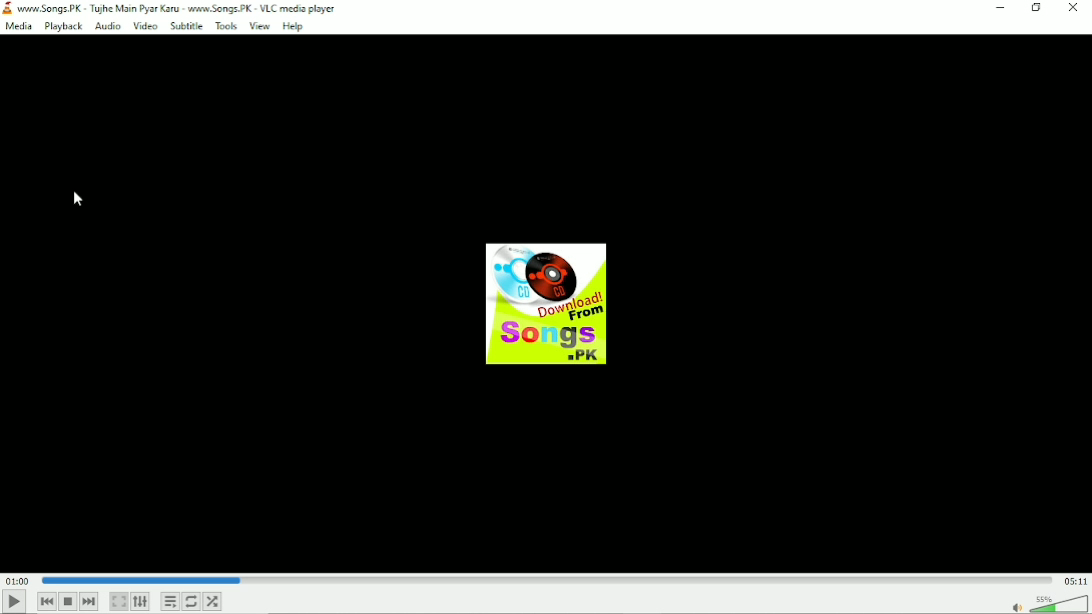 The image size is (1092, 614). What do you see at coordinates (107, 26) in the screenshot?
I see `Audio` at bounding box center [107, 26].